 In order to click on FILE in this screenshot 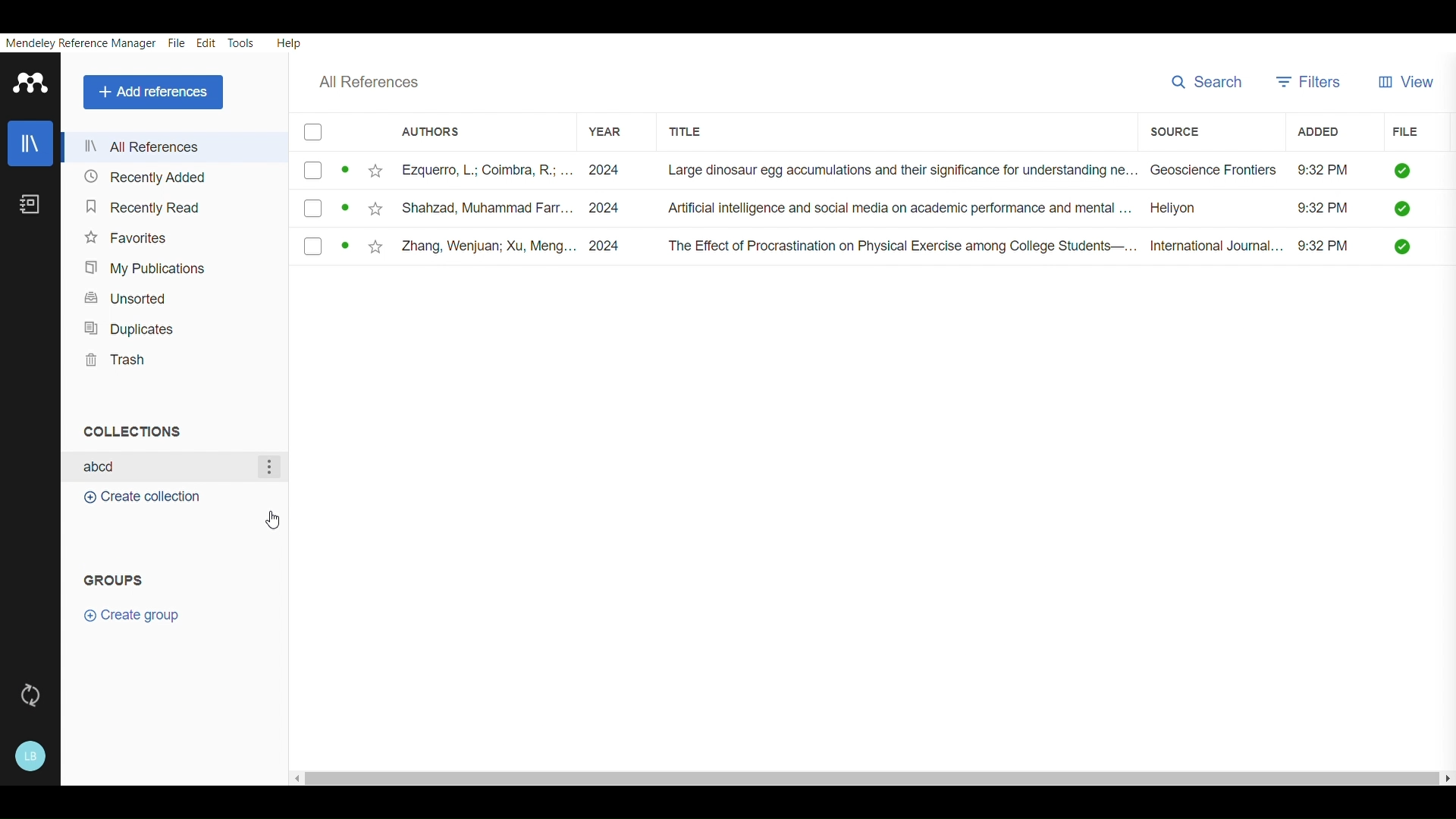, I will do `click(1404, 133)`.